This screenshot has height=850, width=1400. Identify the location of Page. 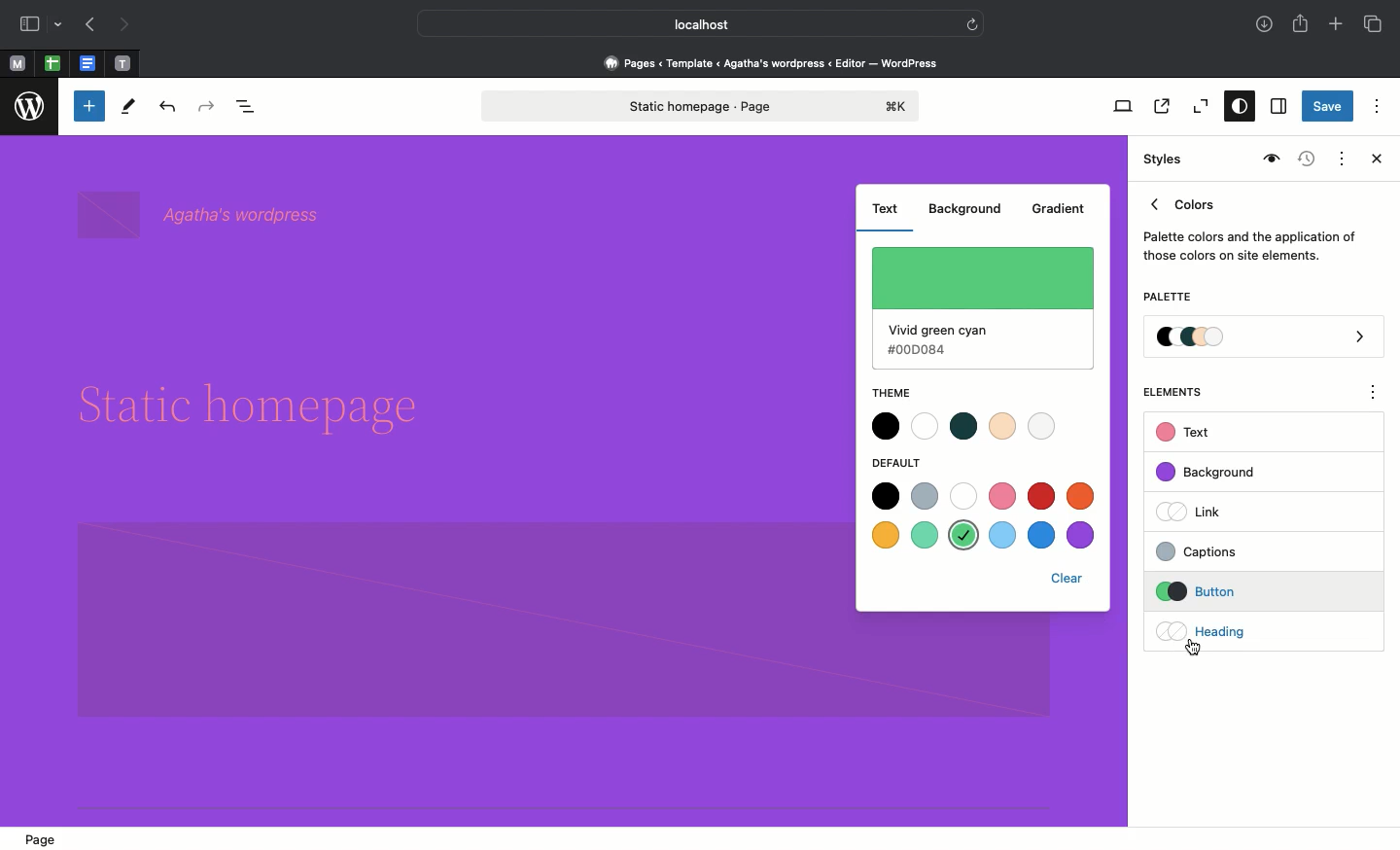
(44, 836).